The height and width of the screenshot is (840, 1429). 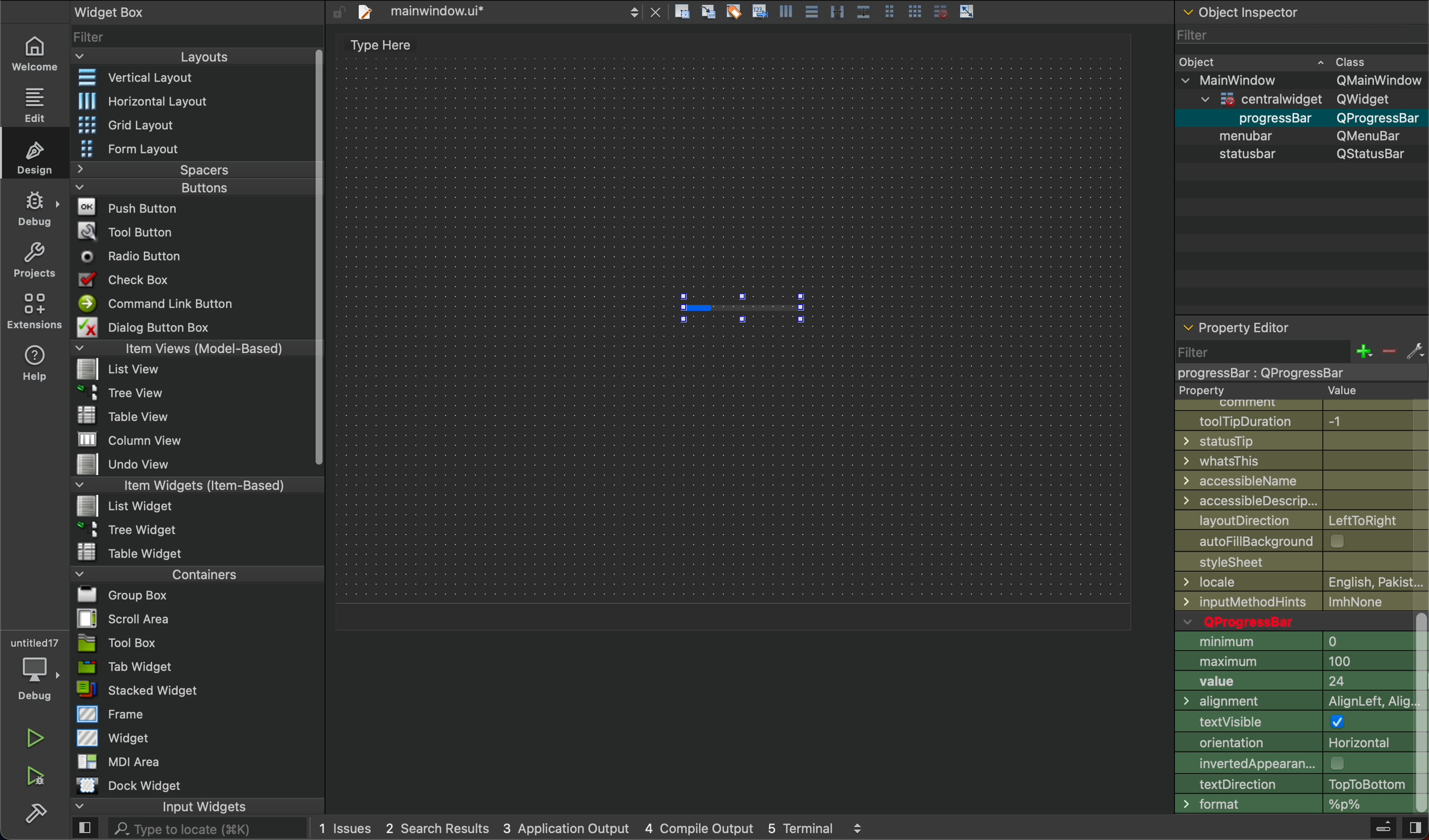 I want to click on File, so click(x=118, y=618).